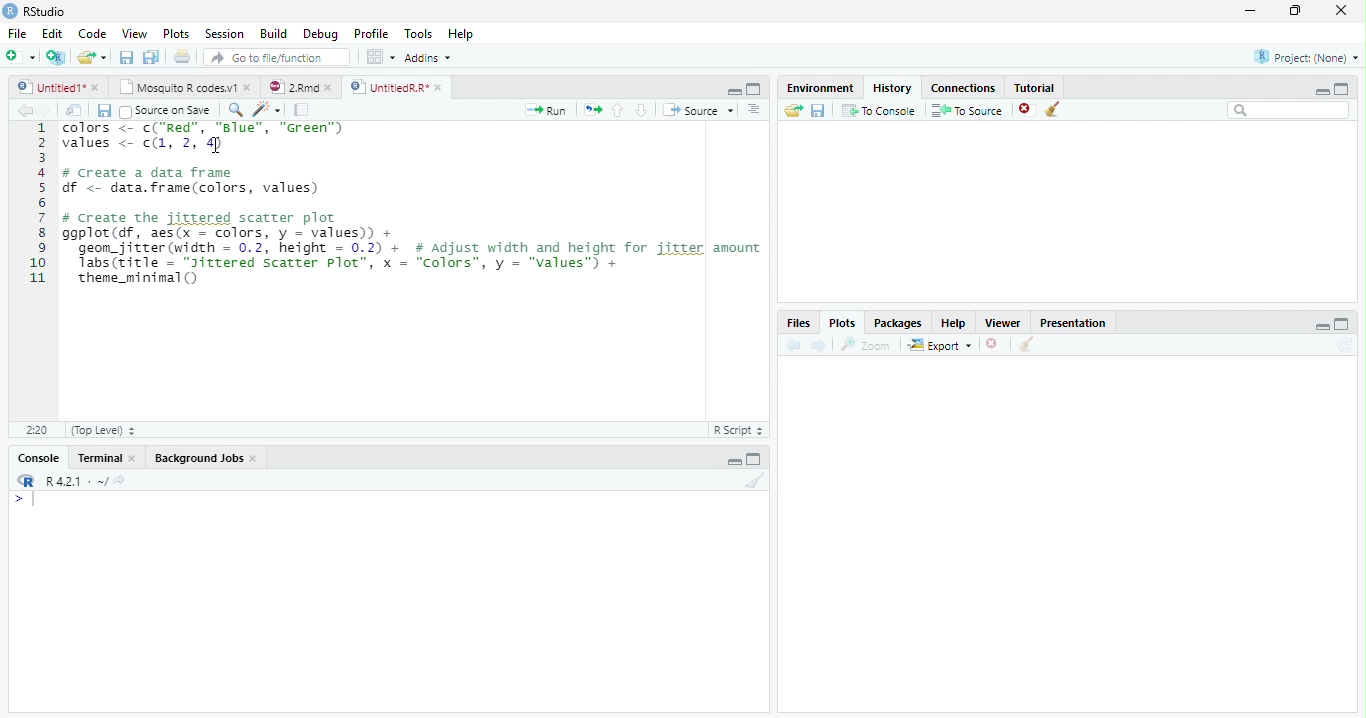 The height and width of the screenshot is (718, 1366). Describe the element at coordinates (461, 33) in the screenshot. I see `Help` at that location.